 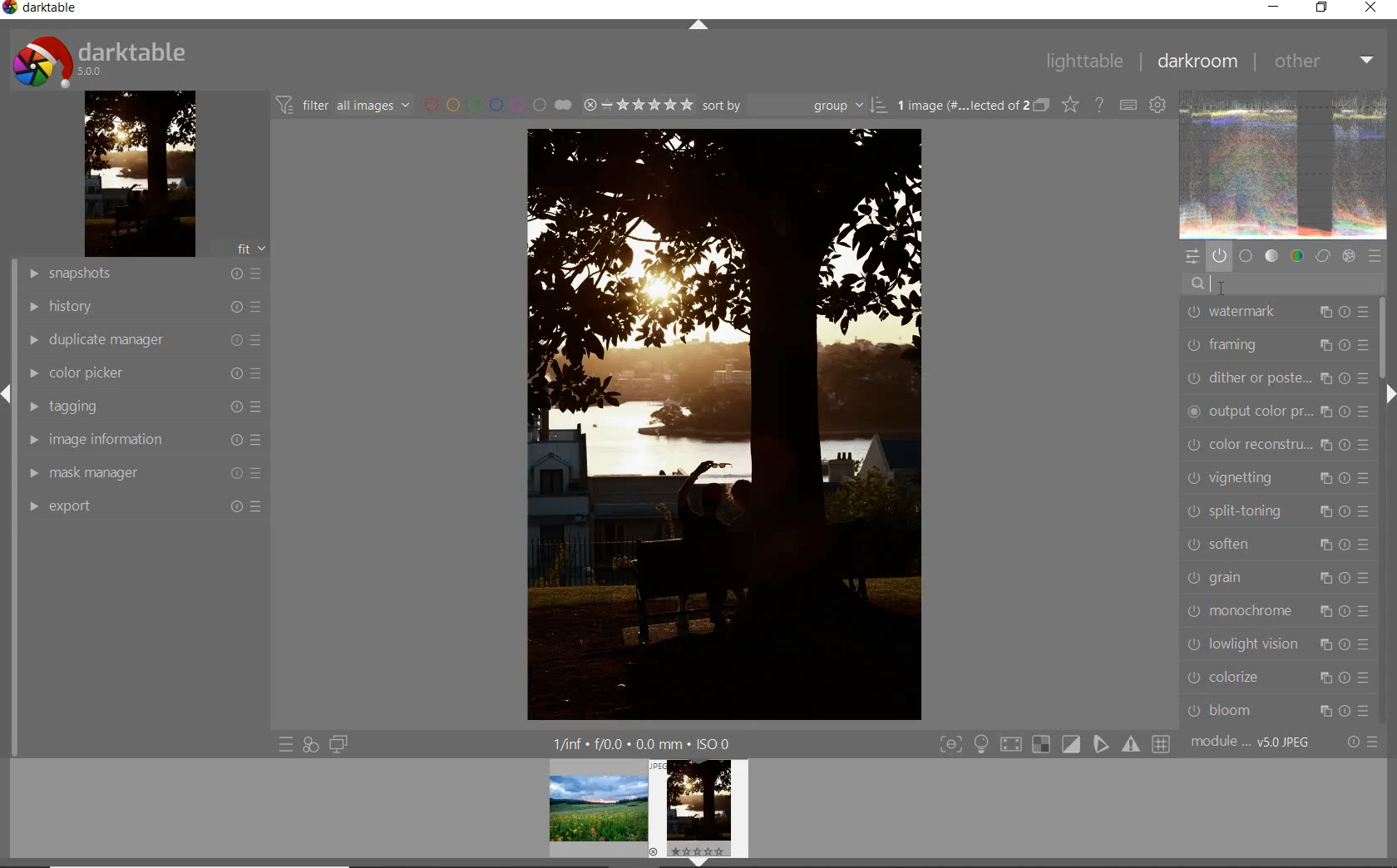 What do you see at coordinates (141, 439) in the screenshot?
I see `image information` at bounding box center [141, 439].